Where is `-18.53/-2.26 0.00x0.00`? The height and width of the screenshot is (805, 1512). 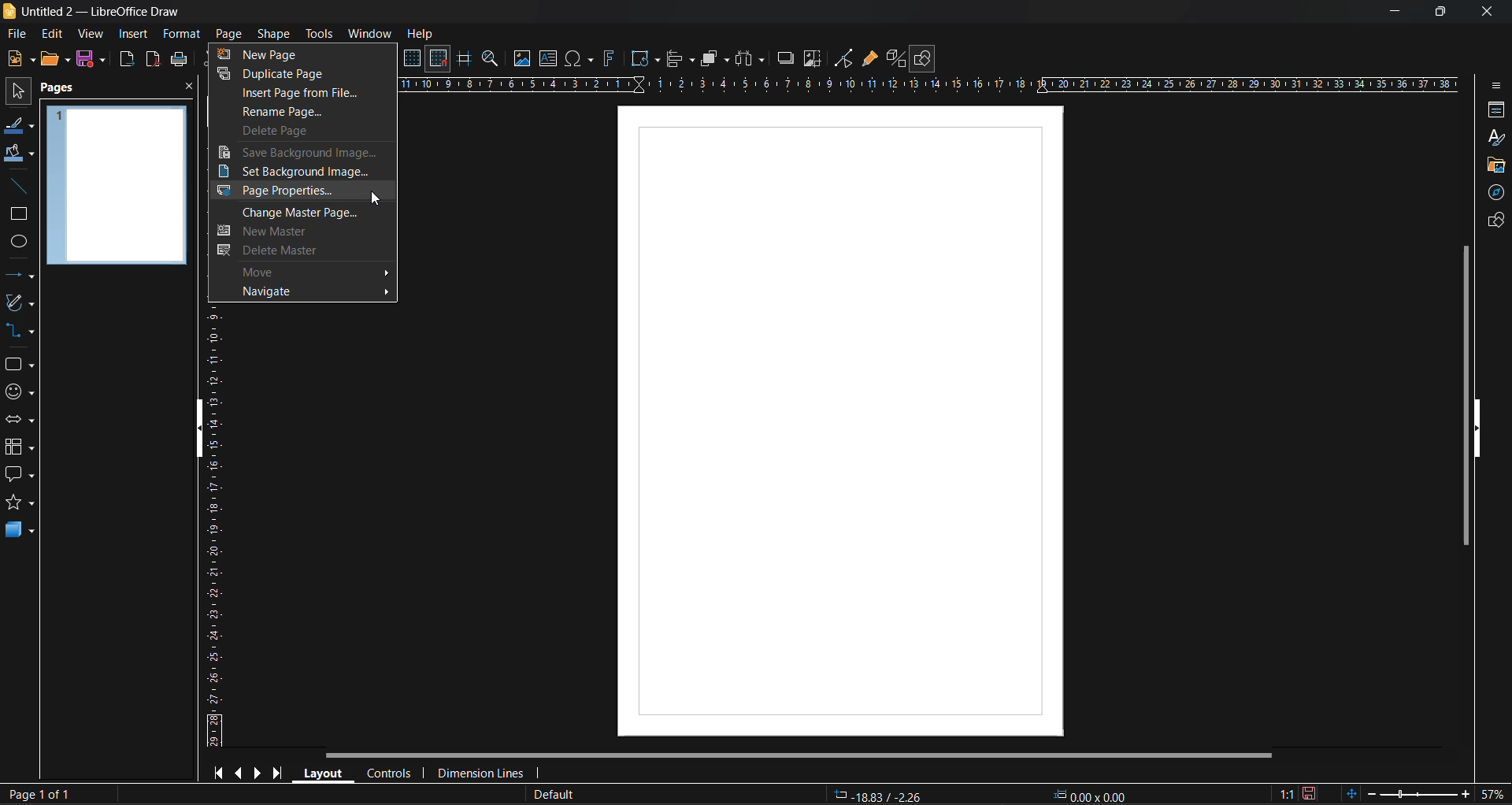
-18.53/-2.26 0.00x0.00 is located at coordinates (984, 795).